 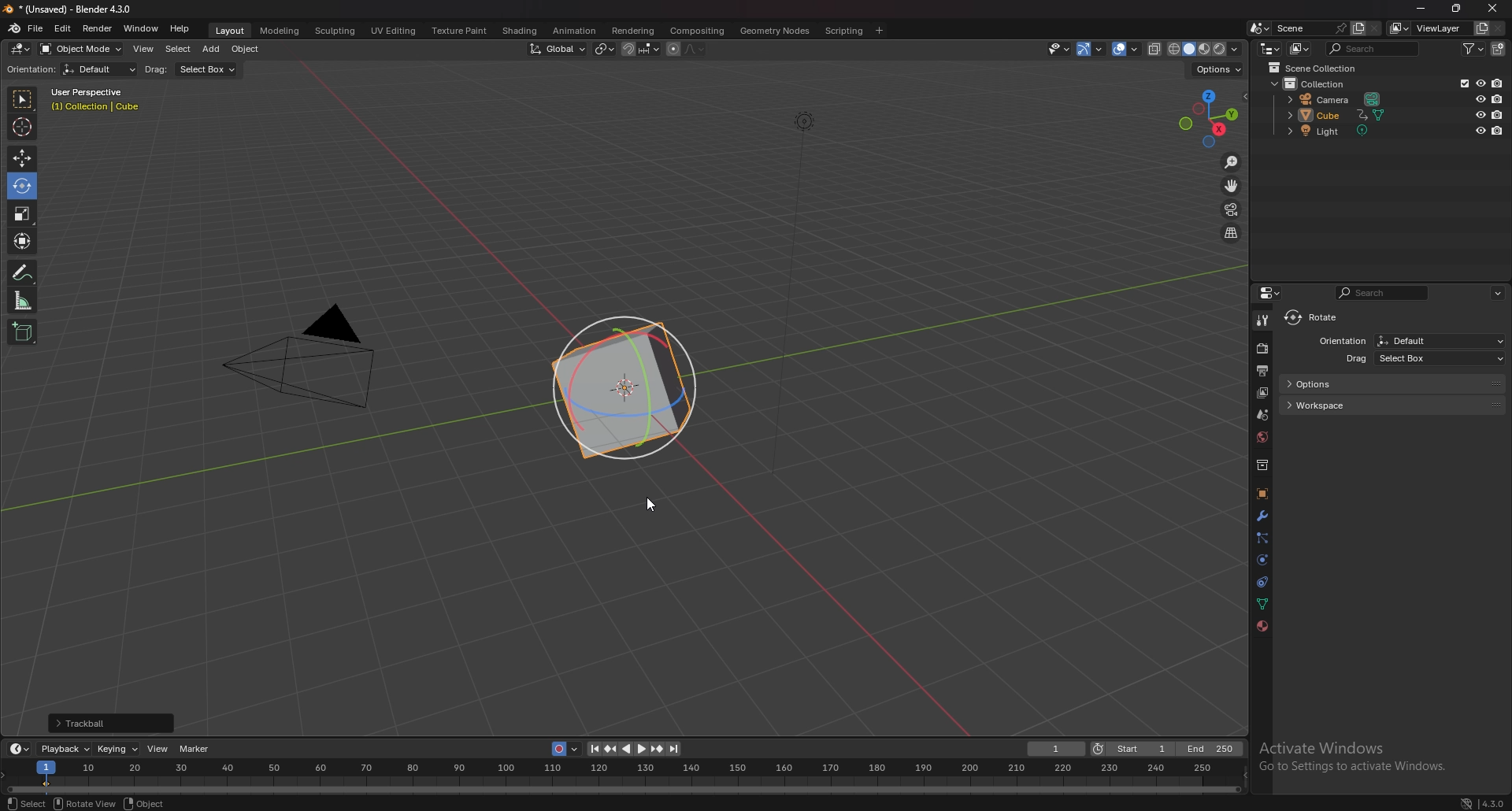 What do you see at coordinates (1499, 28) in the screenshot?
I see `remove view layer` at bounding box center [1499, 28].